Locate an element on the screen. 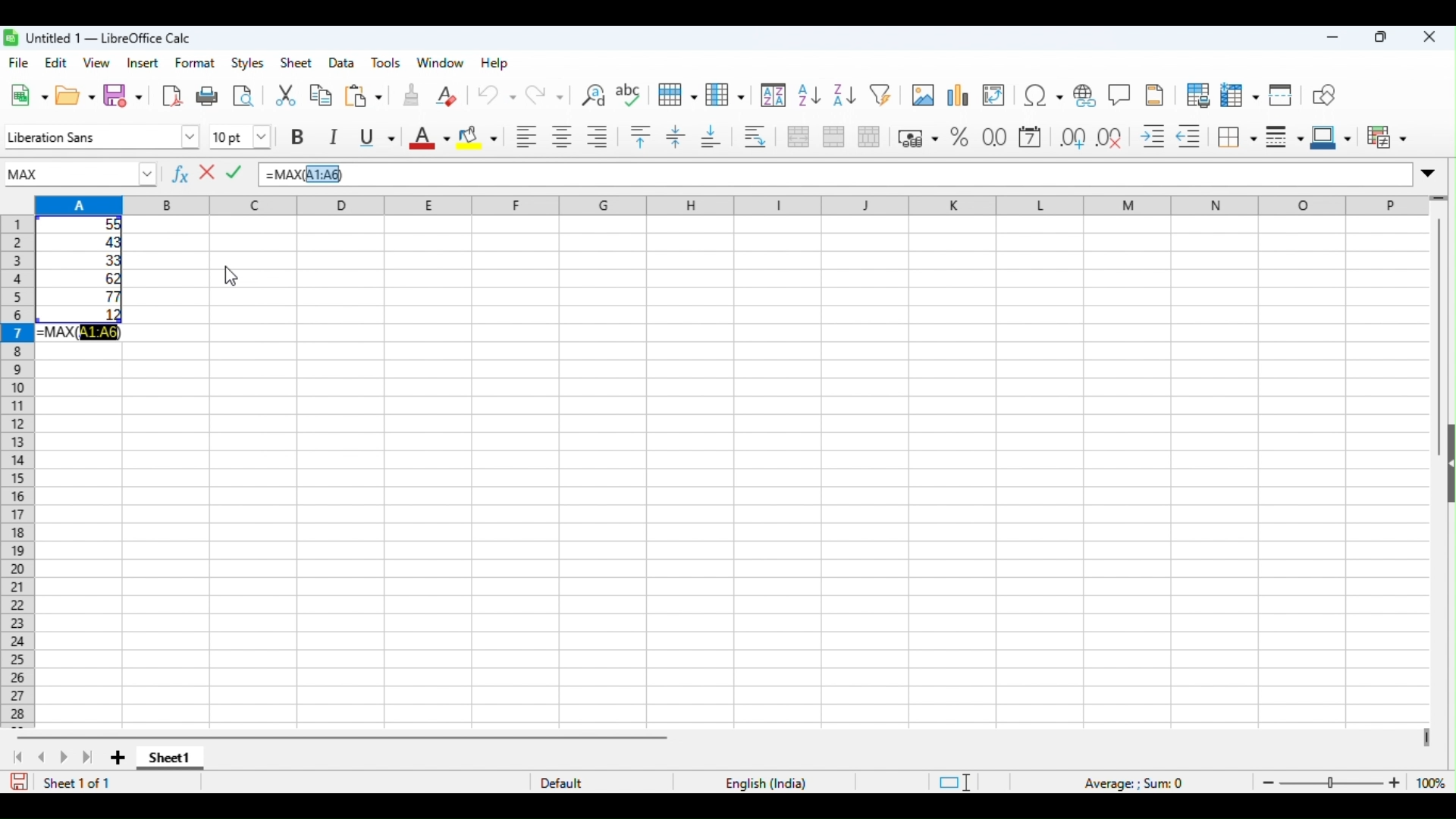 The height and width of the screenshot is (819, 1456). next is located at coordinates (62, 758).